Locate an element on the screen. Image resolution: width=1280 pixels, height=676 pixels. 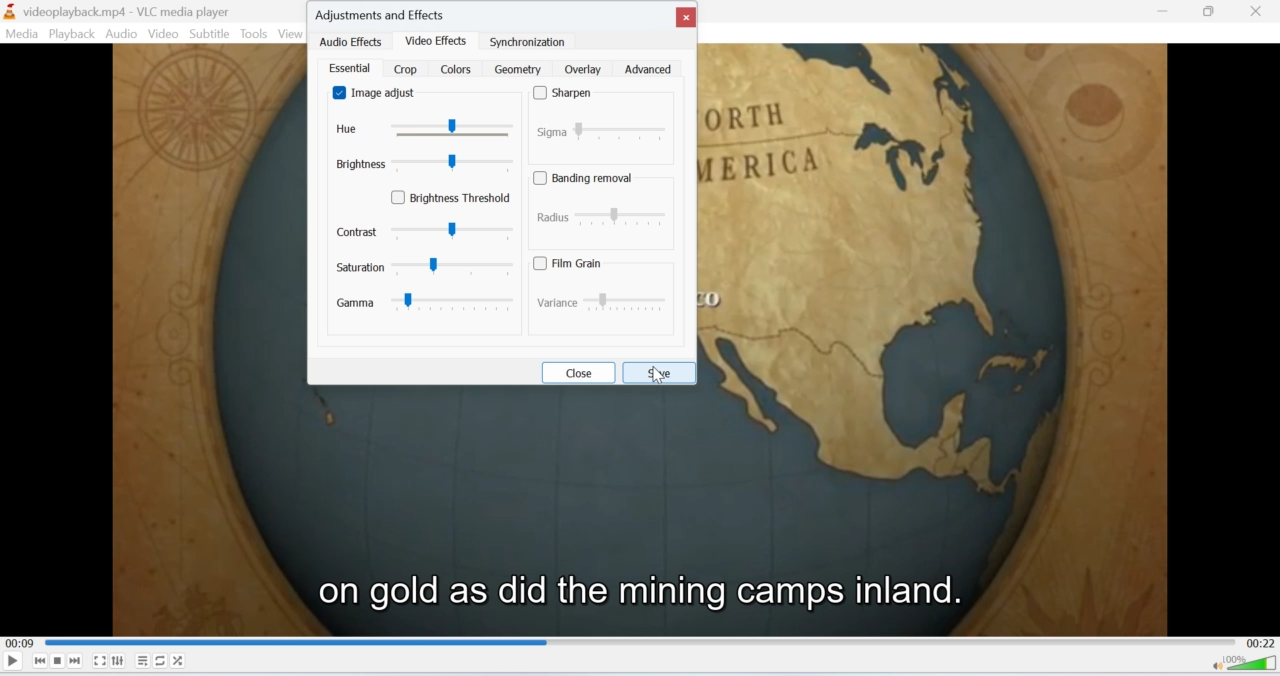
Stop is located at coordinates (58, 662).